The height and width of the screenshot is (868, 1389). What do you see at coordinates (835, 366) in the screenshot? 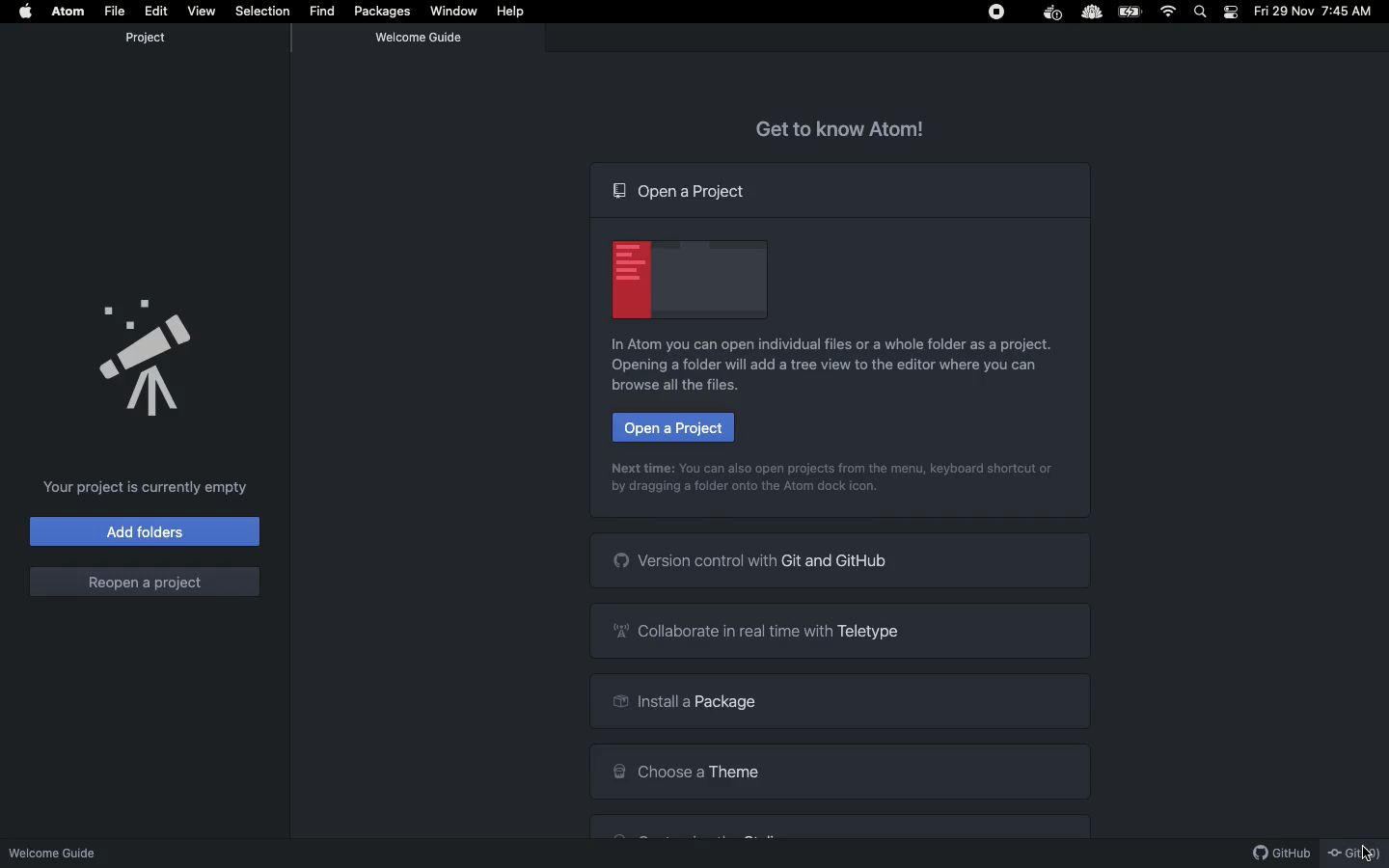
I see `In Atom you can open individual files or a whole folder as a project.
Opening a folder will add a tree view to the editor where you can
browse all the files.` at bounding box center [835, 366].